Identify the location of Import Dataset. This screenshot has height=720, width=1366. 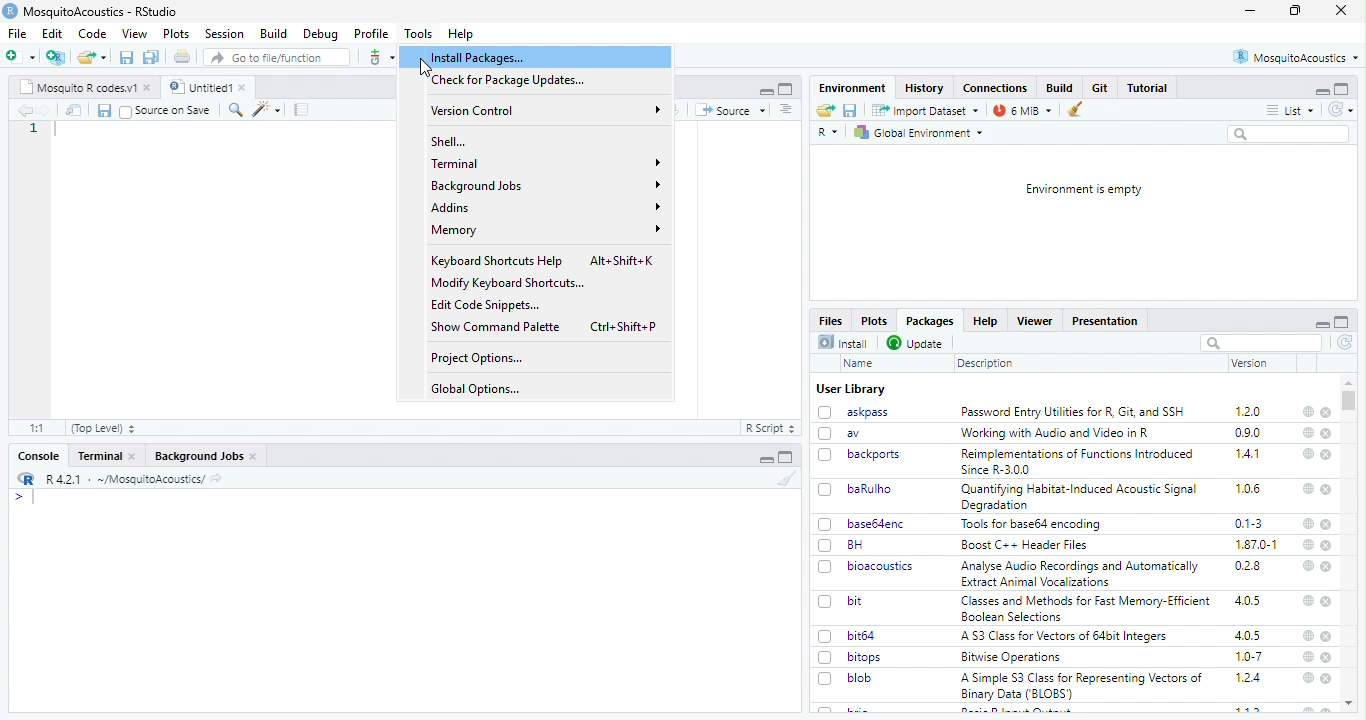
(927, 111).